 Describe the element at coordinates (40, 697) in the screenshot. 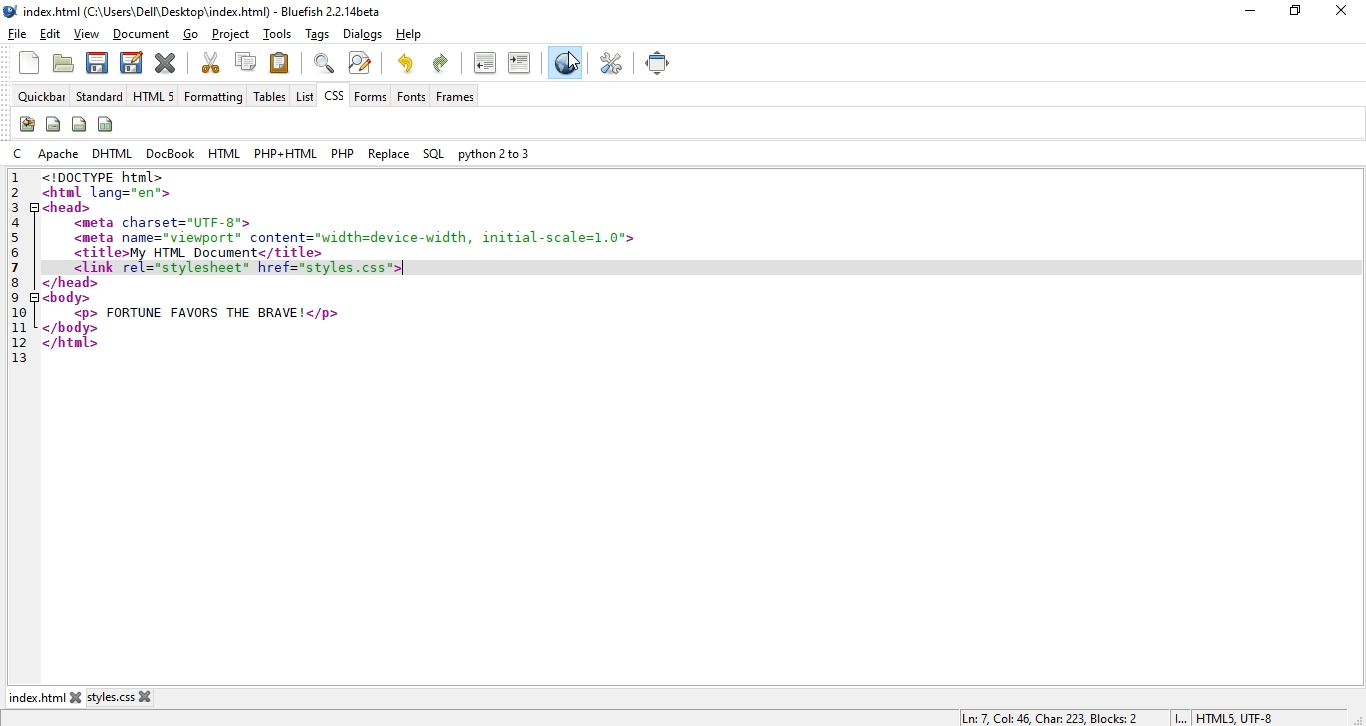

I see `*index.htm!|` at that location.